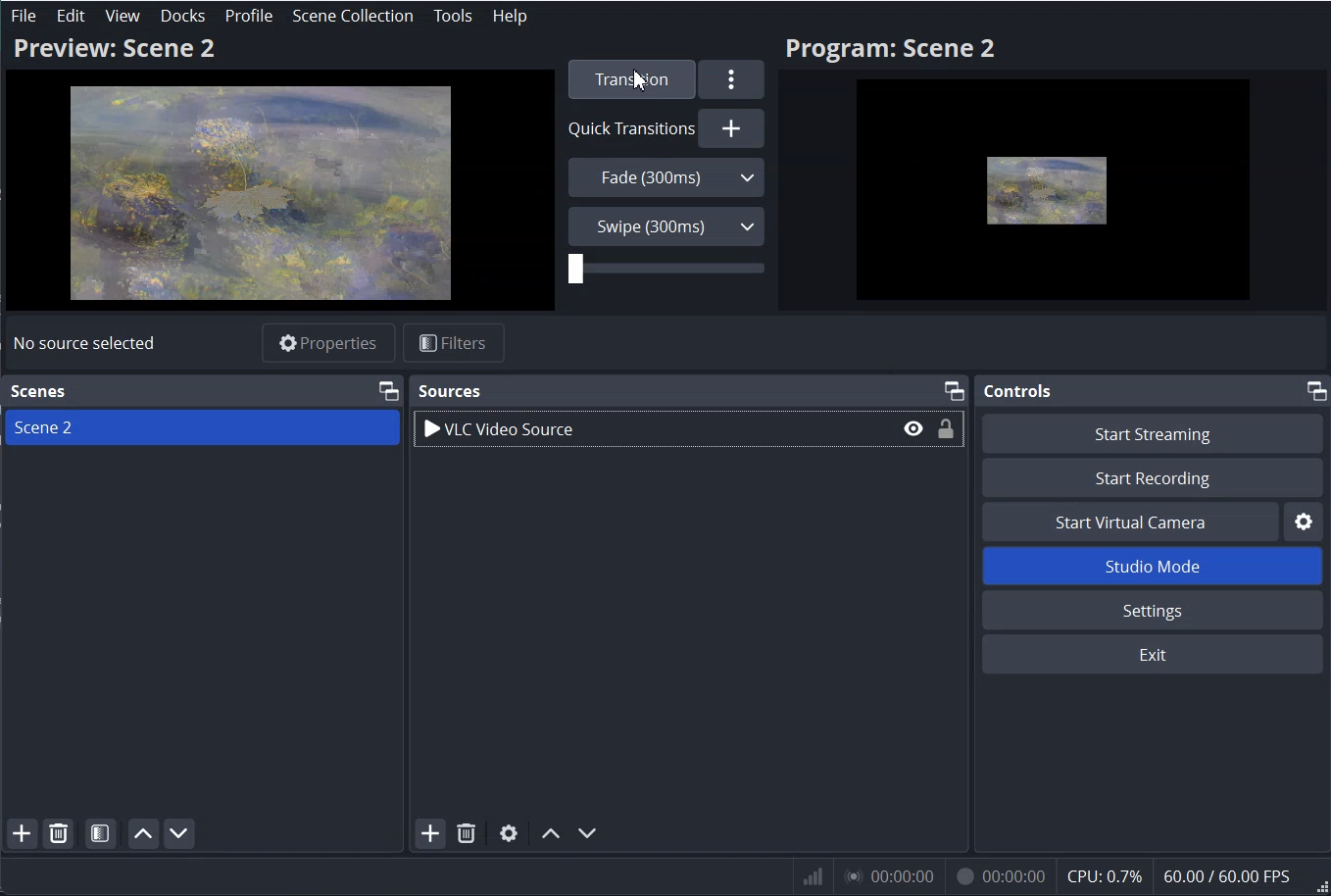 This screenshot has height=896, width=1331. What do you see at coordinates (665, 225) in the screenshot?
I see `Swipe` at bounding box center [665, 225].